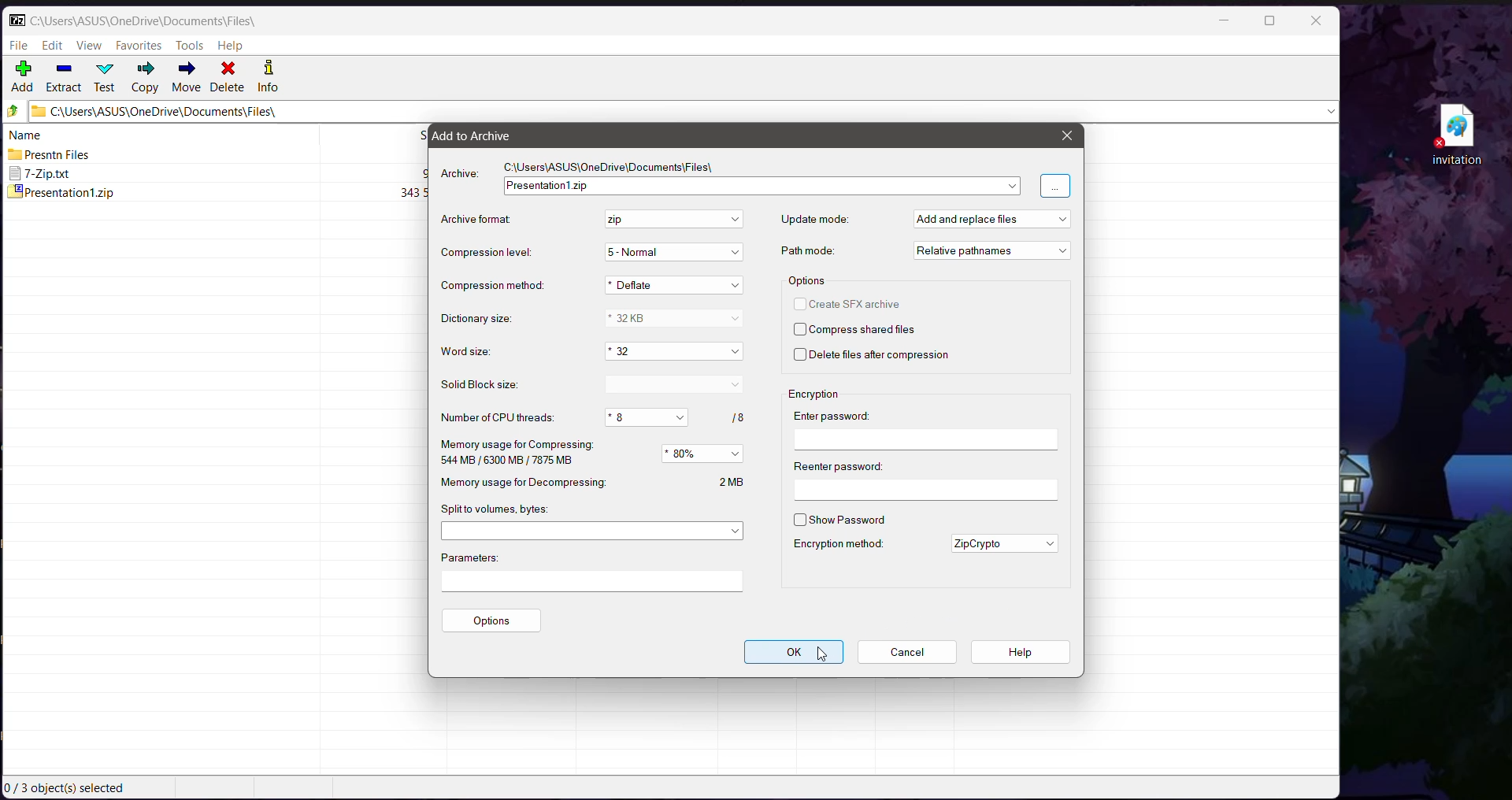  Describe the element at coordinates (70, 788) in the screenshot. I see `Current Selection` at that location.